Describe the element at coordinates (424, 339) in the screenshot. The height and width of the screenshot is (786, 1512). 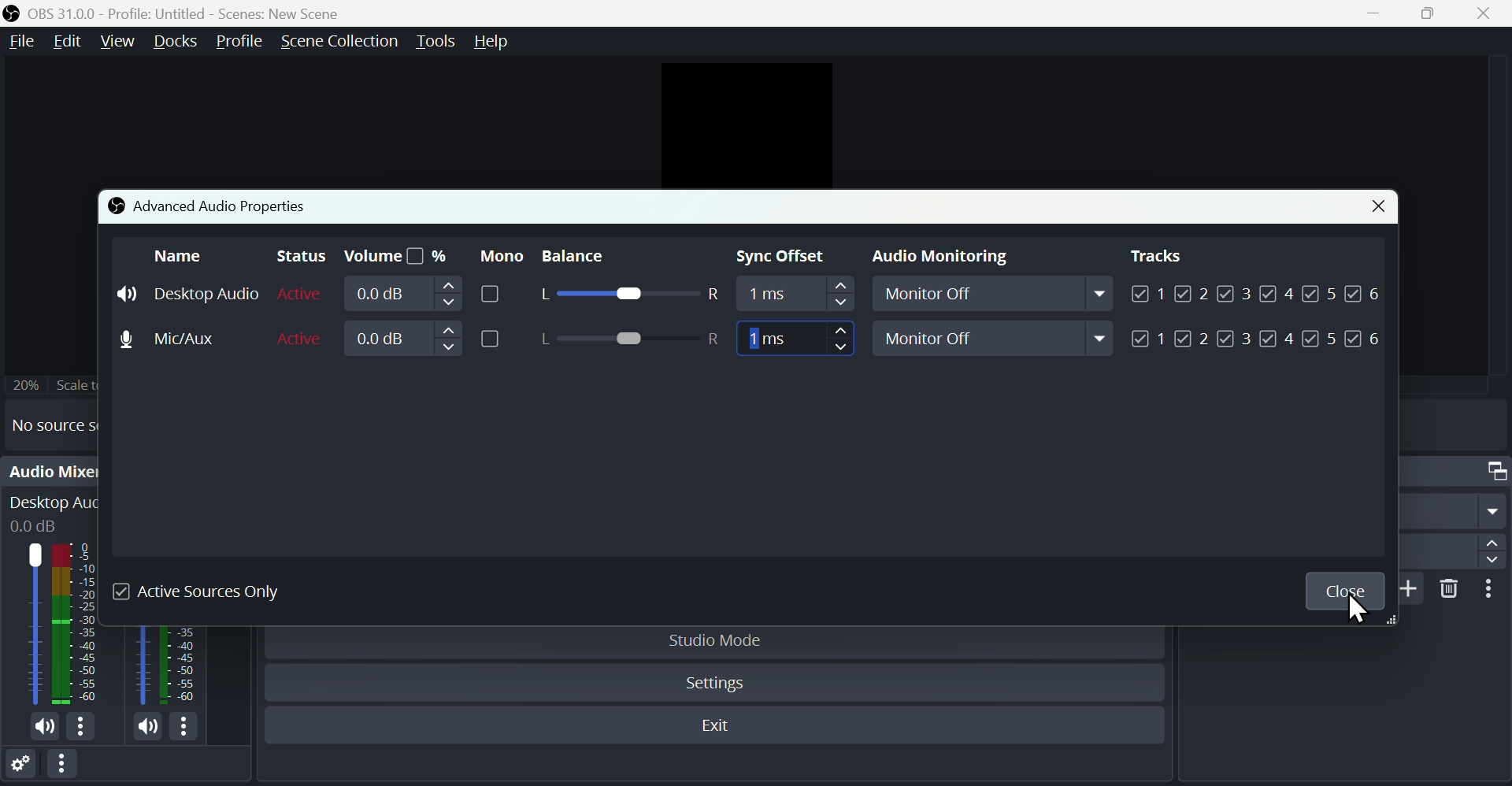
I see `Volume` at that location.